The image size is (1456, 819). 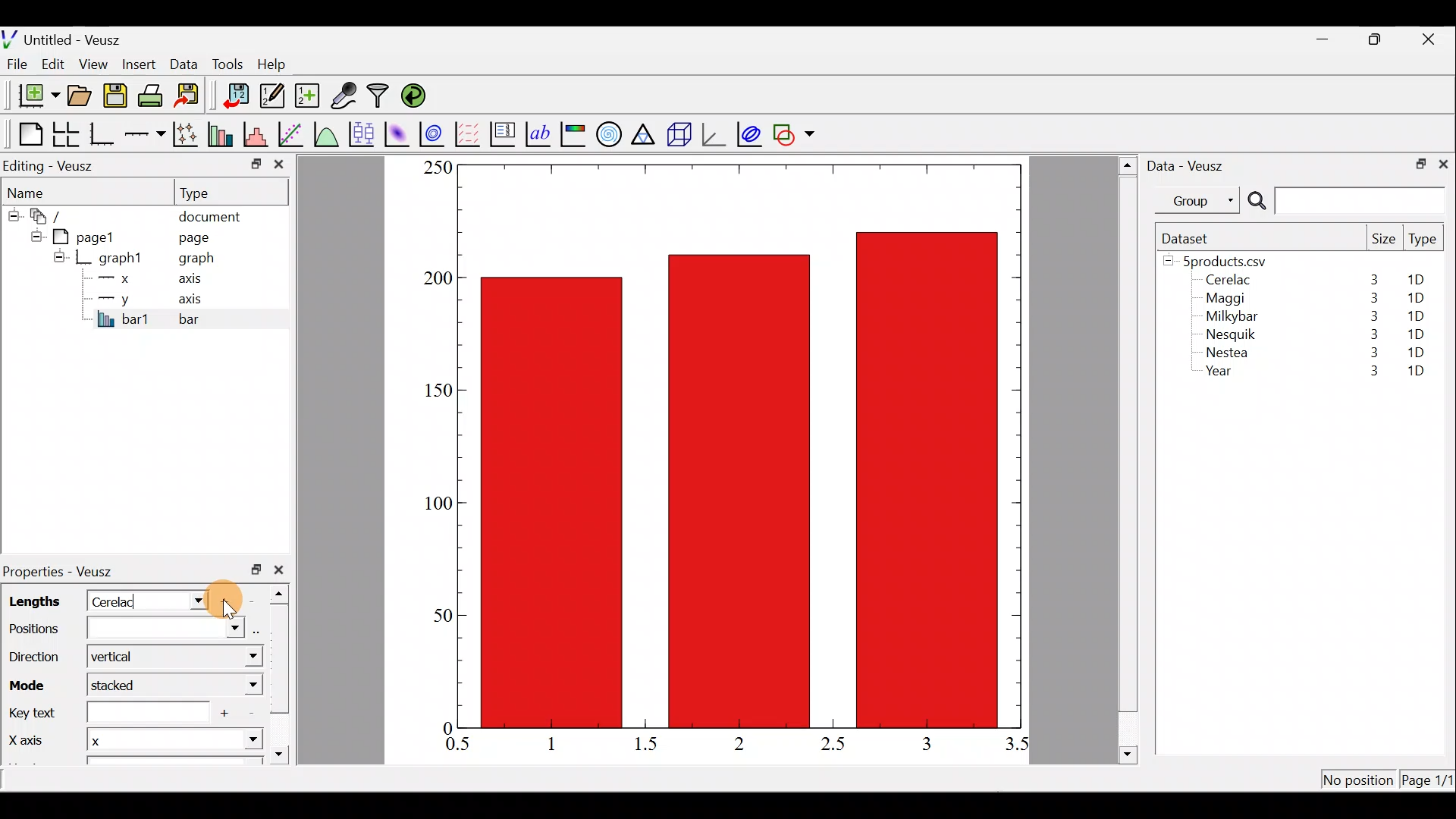 What do you see at coordinates (14, 64) in the screenshot?
I see `File` at bounding box center [14, 64].